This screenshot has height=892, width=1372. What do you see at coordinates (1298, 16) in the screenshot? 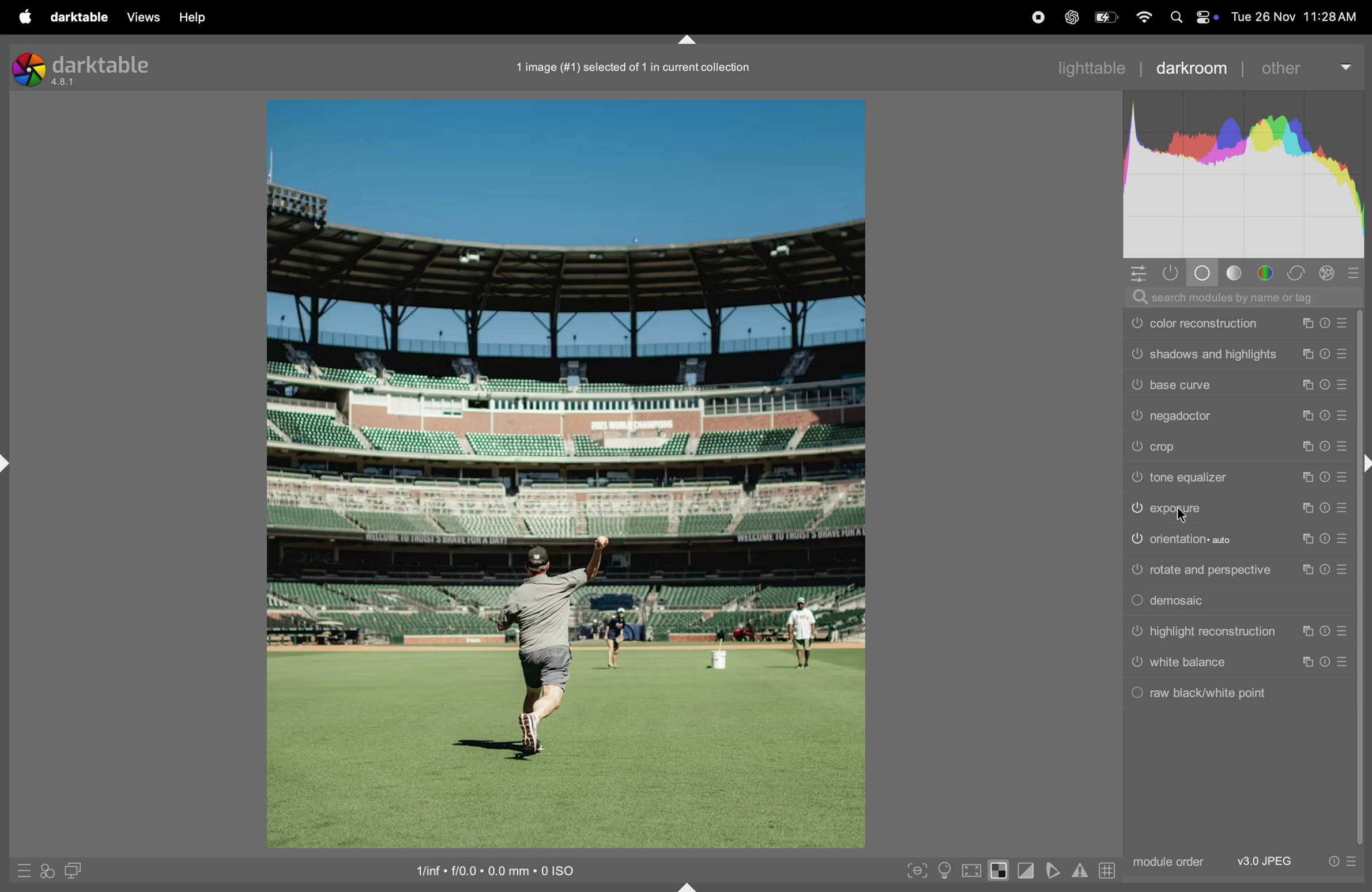
I see `date and time` at bounding box center [1298, 16].